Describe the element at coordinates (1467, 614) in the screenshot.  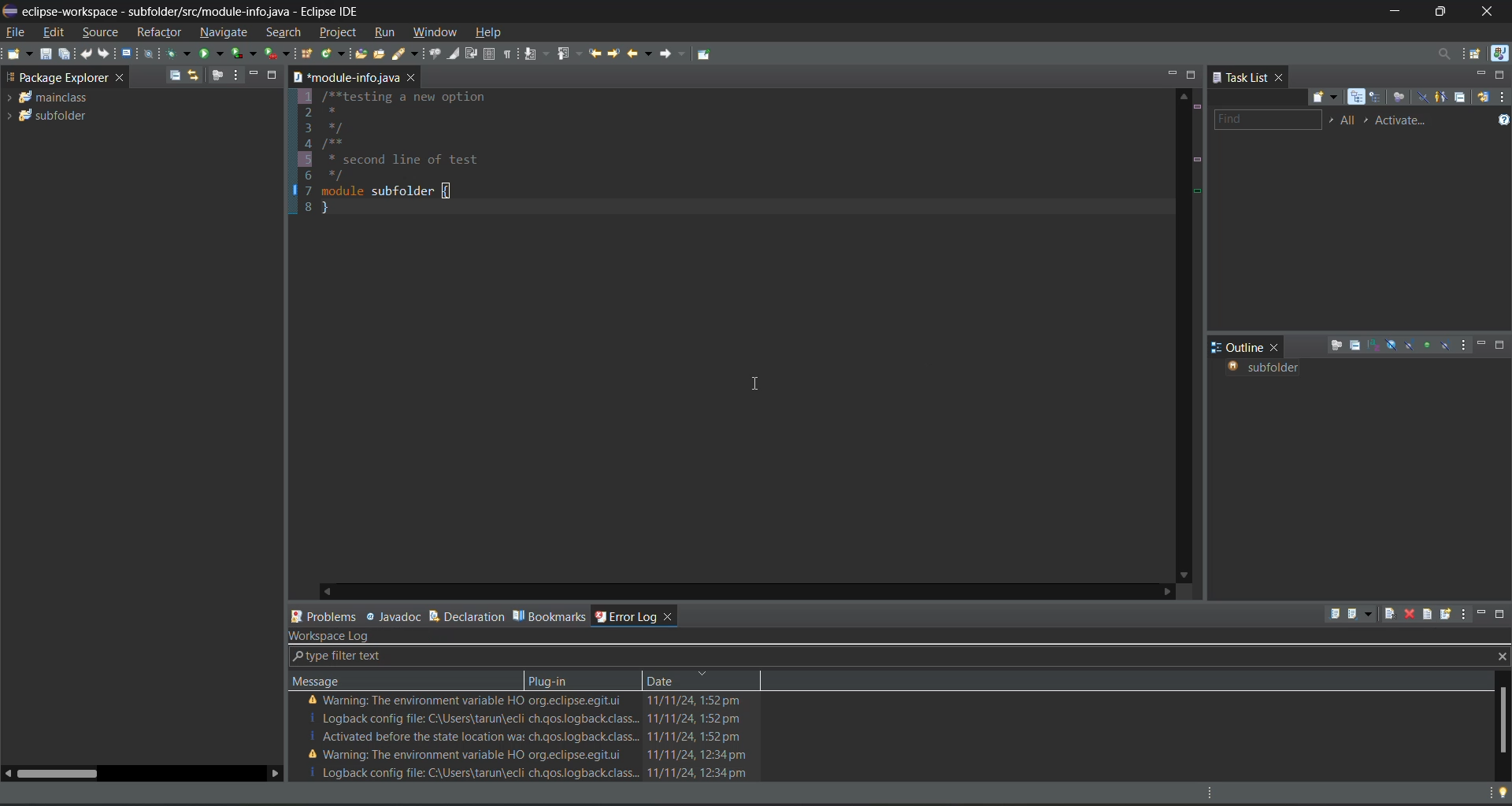
I see `view menu` at that location.